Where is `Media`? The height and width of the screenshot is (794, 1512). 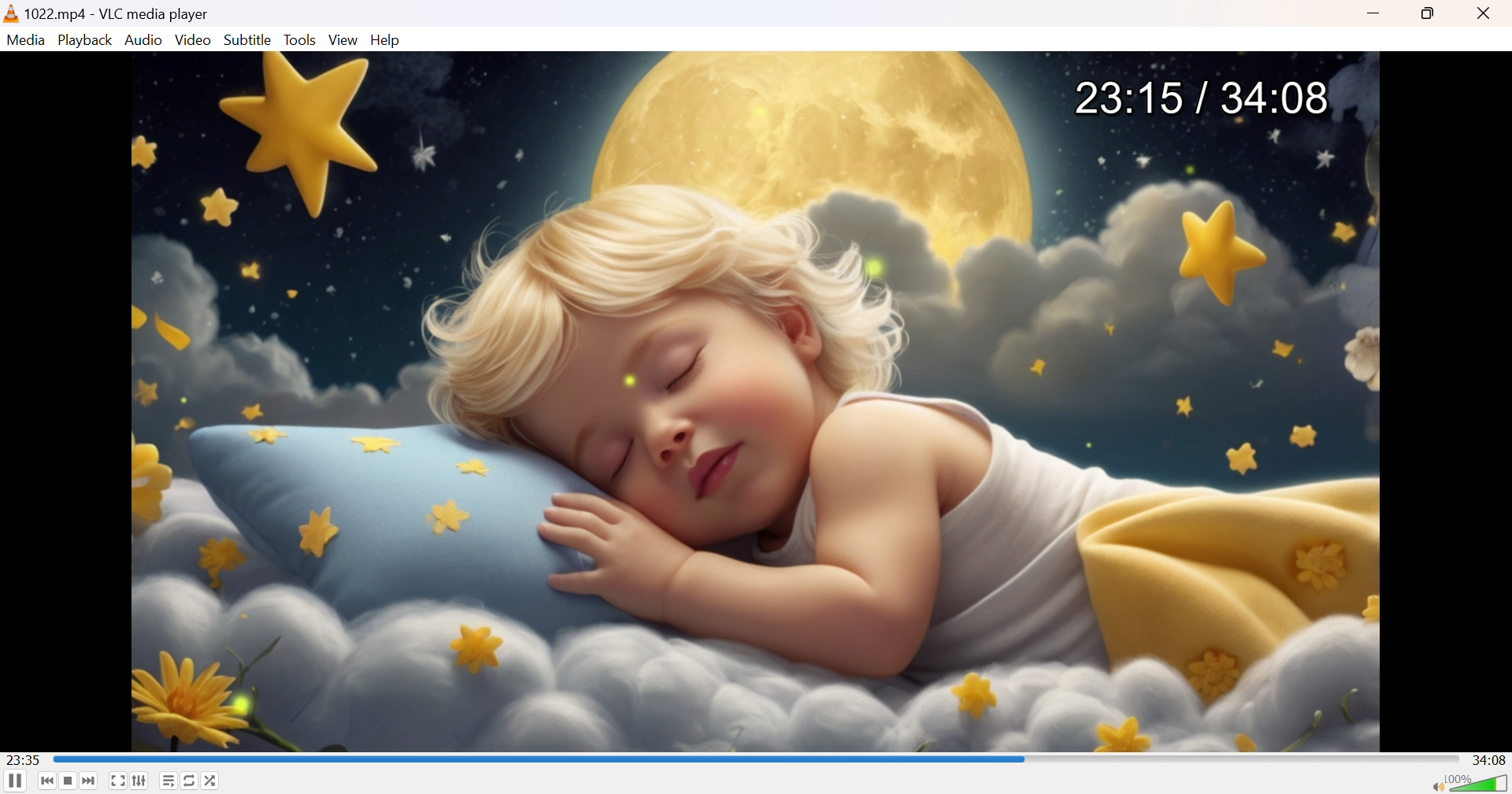 Media is located at coordinates (25, 39).